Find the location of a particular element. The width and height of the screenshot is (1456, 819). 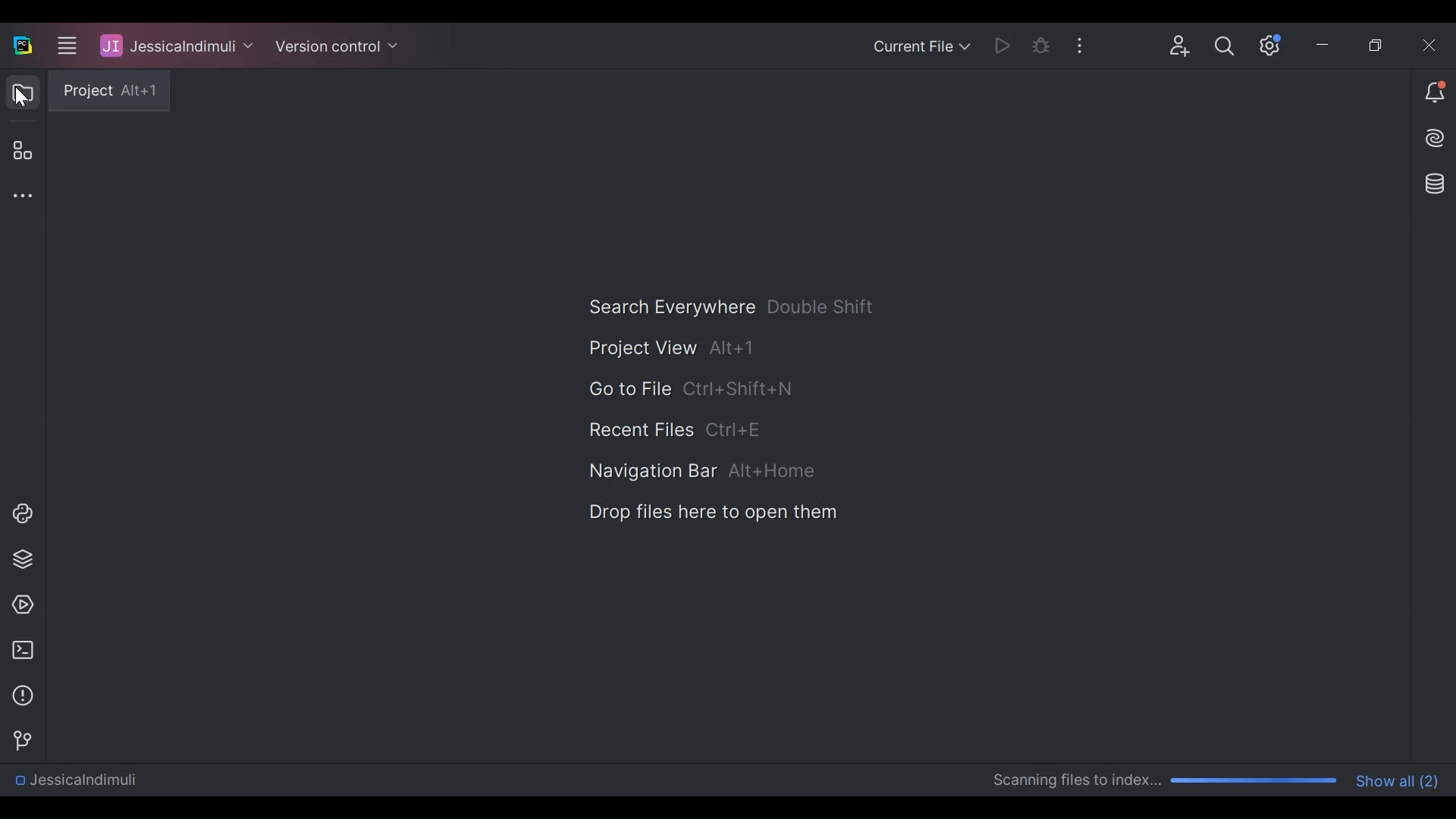

Project tooltip is located at coordinates (115, 90).